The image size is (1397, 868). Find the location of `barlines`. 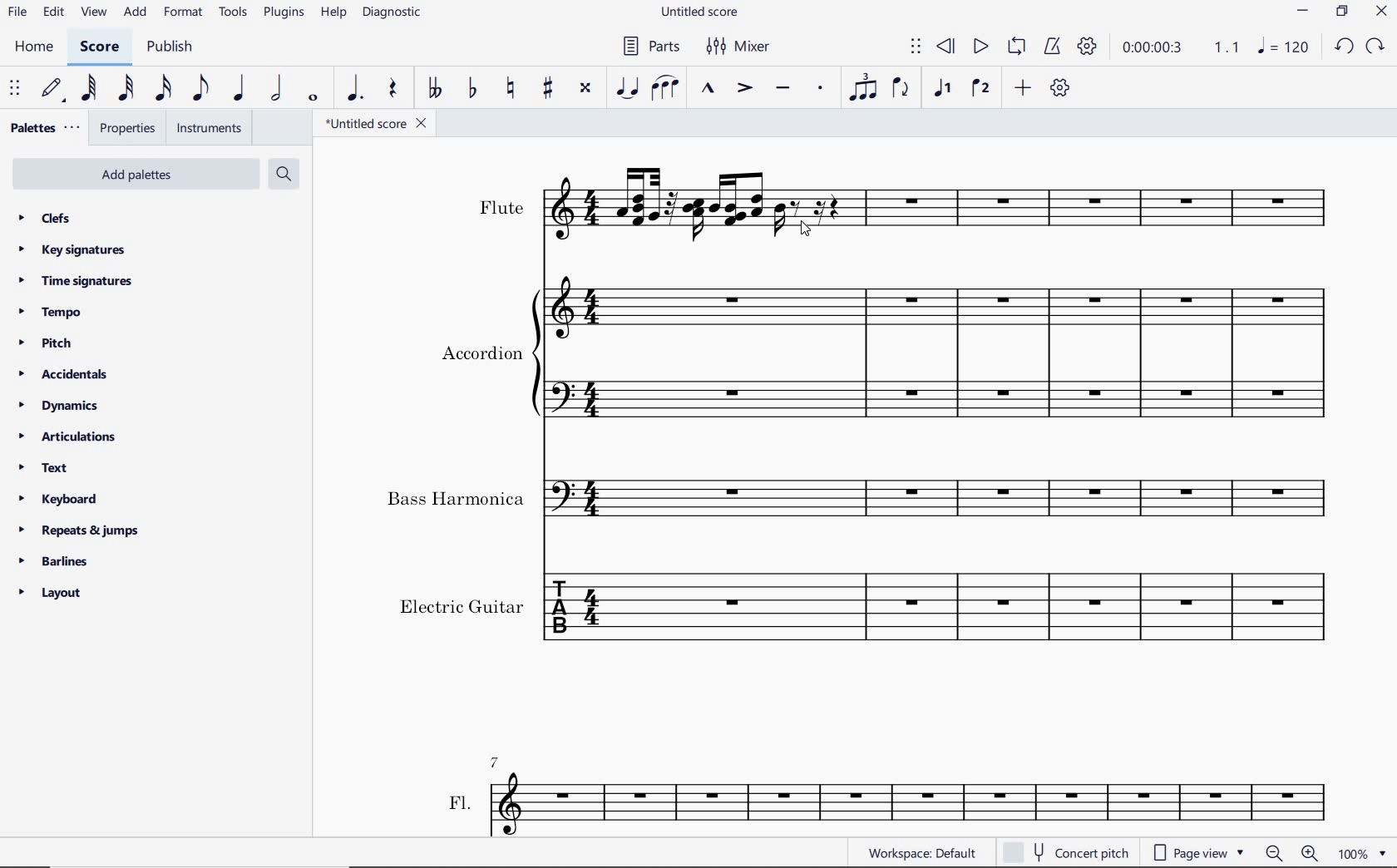

barlines is located at coordinates (59, 560).